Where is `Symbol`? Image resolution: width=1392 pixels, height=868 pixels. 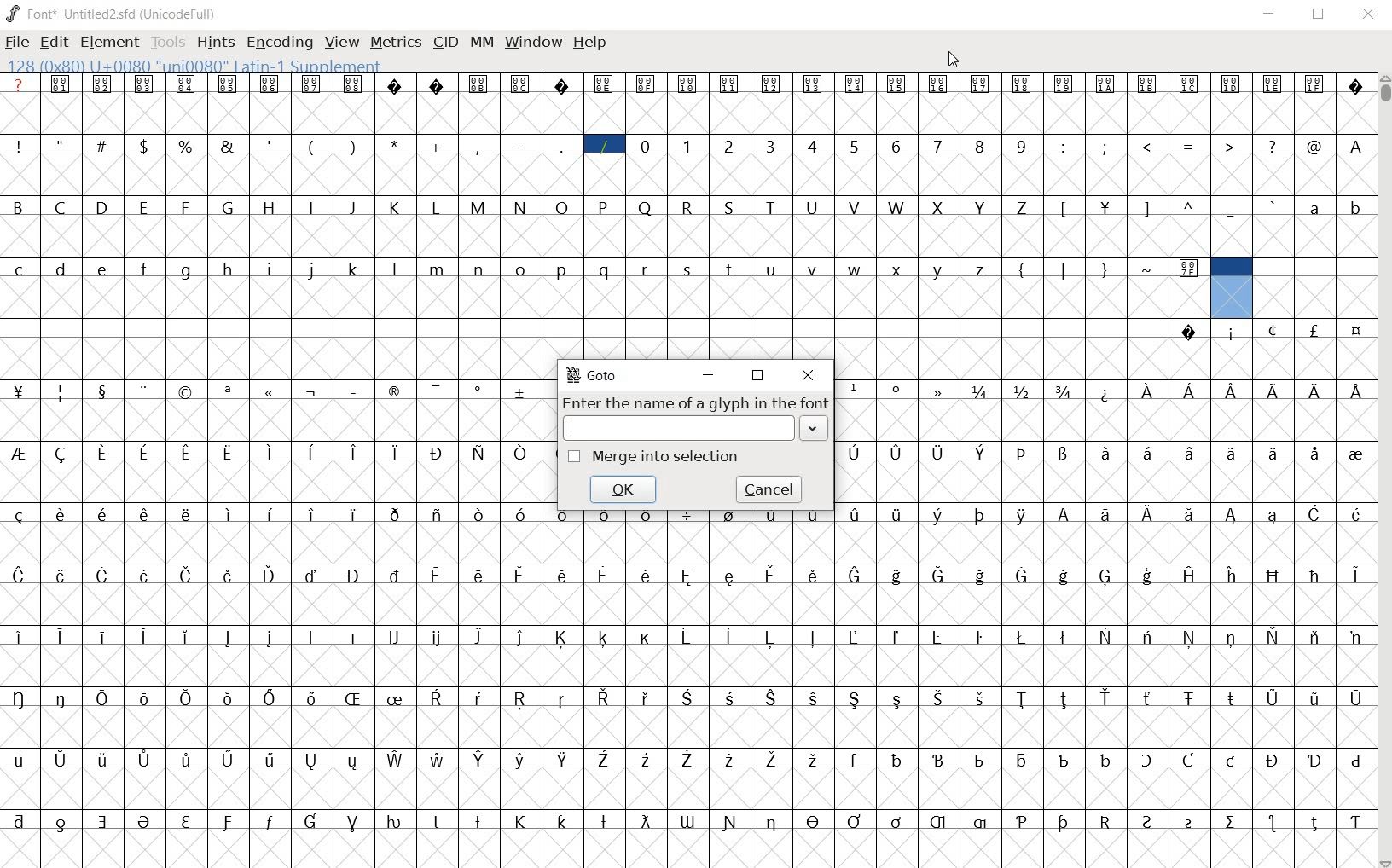
Symbol is located at coordinates (479, 512).